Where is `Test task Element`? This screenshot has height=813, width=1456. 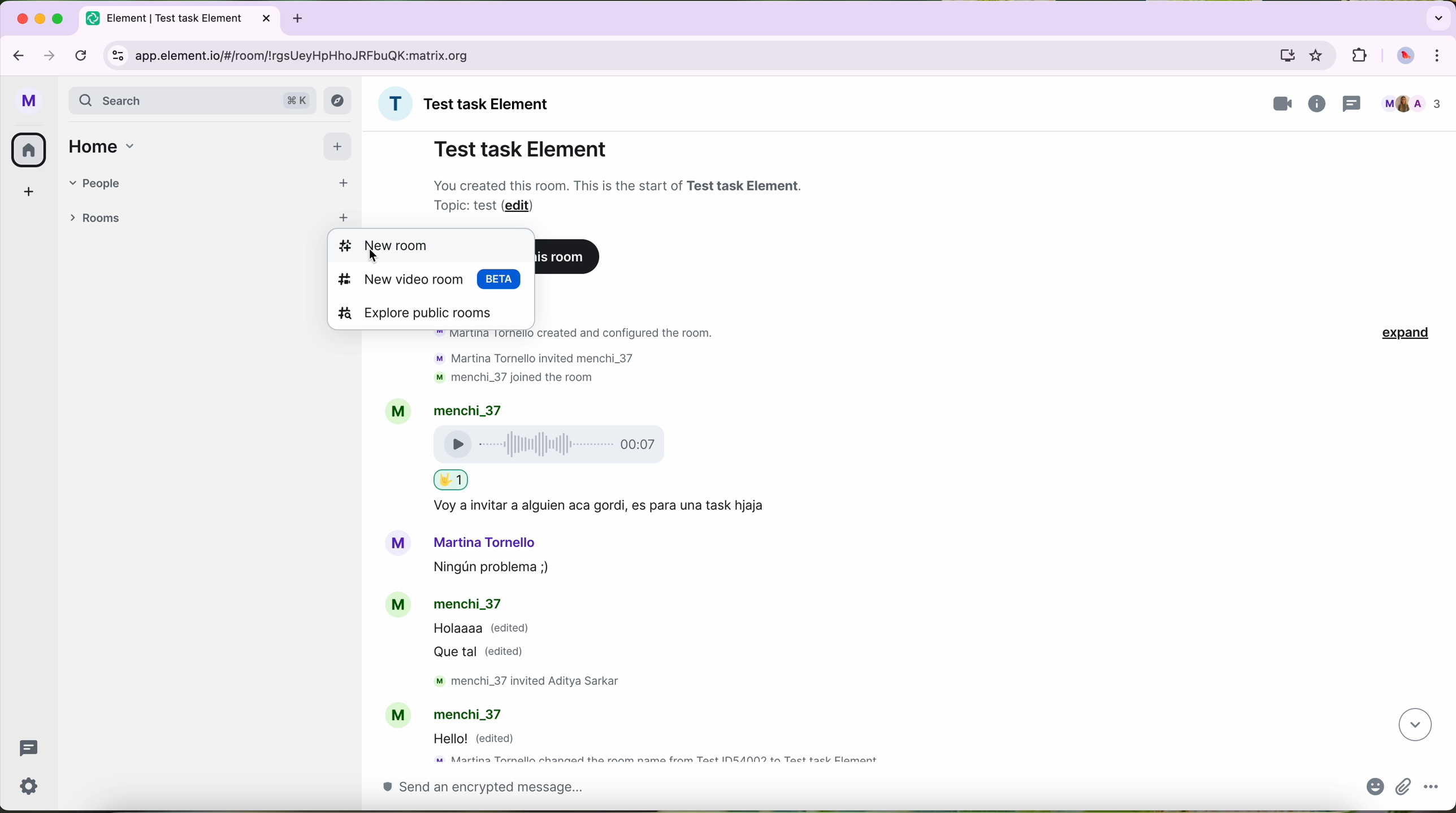 Test task Element is located at coordinates (521, 149).